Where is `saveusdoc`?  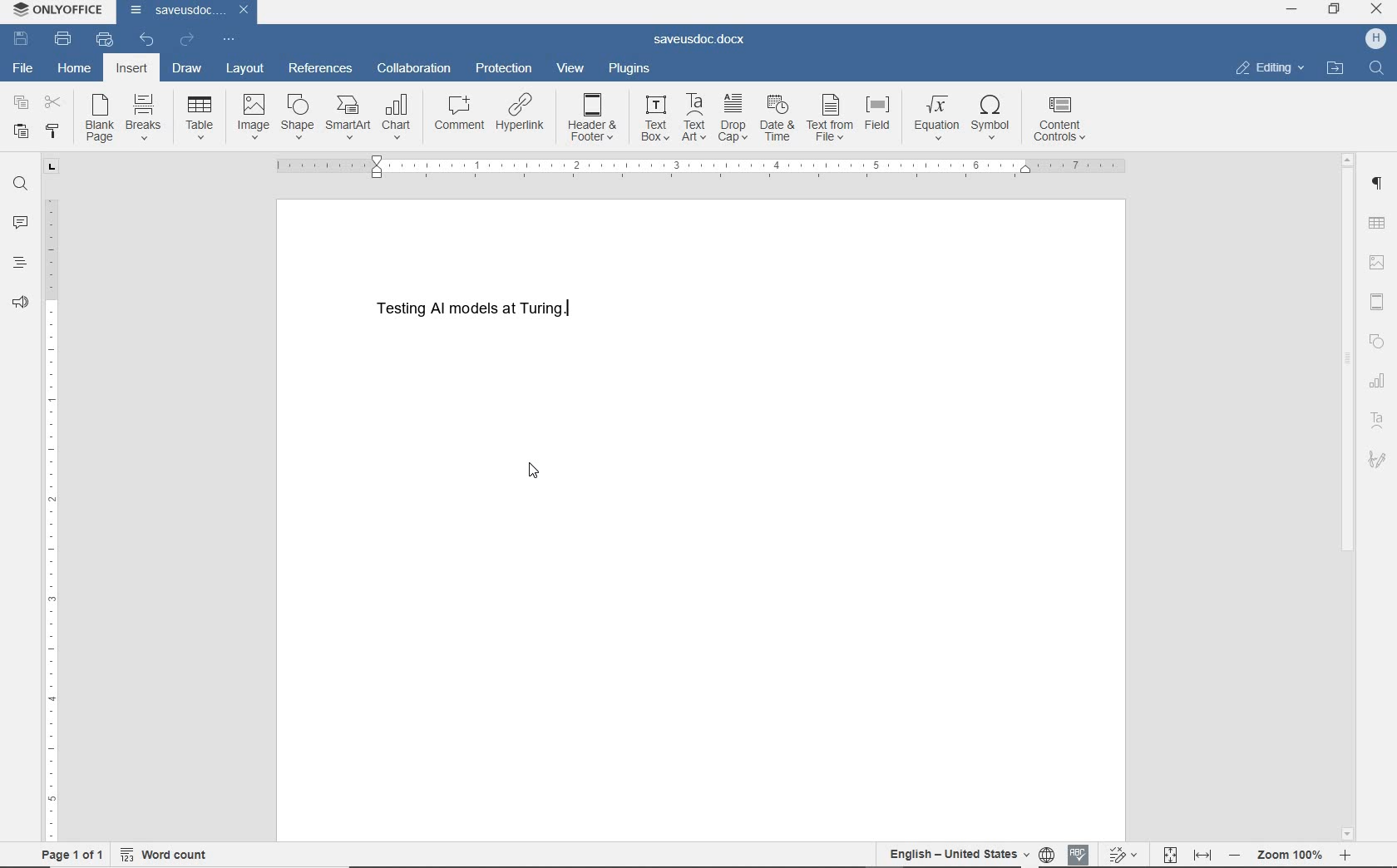
saveusdoc is located at coordinates (186, 12).